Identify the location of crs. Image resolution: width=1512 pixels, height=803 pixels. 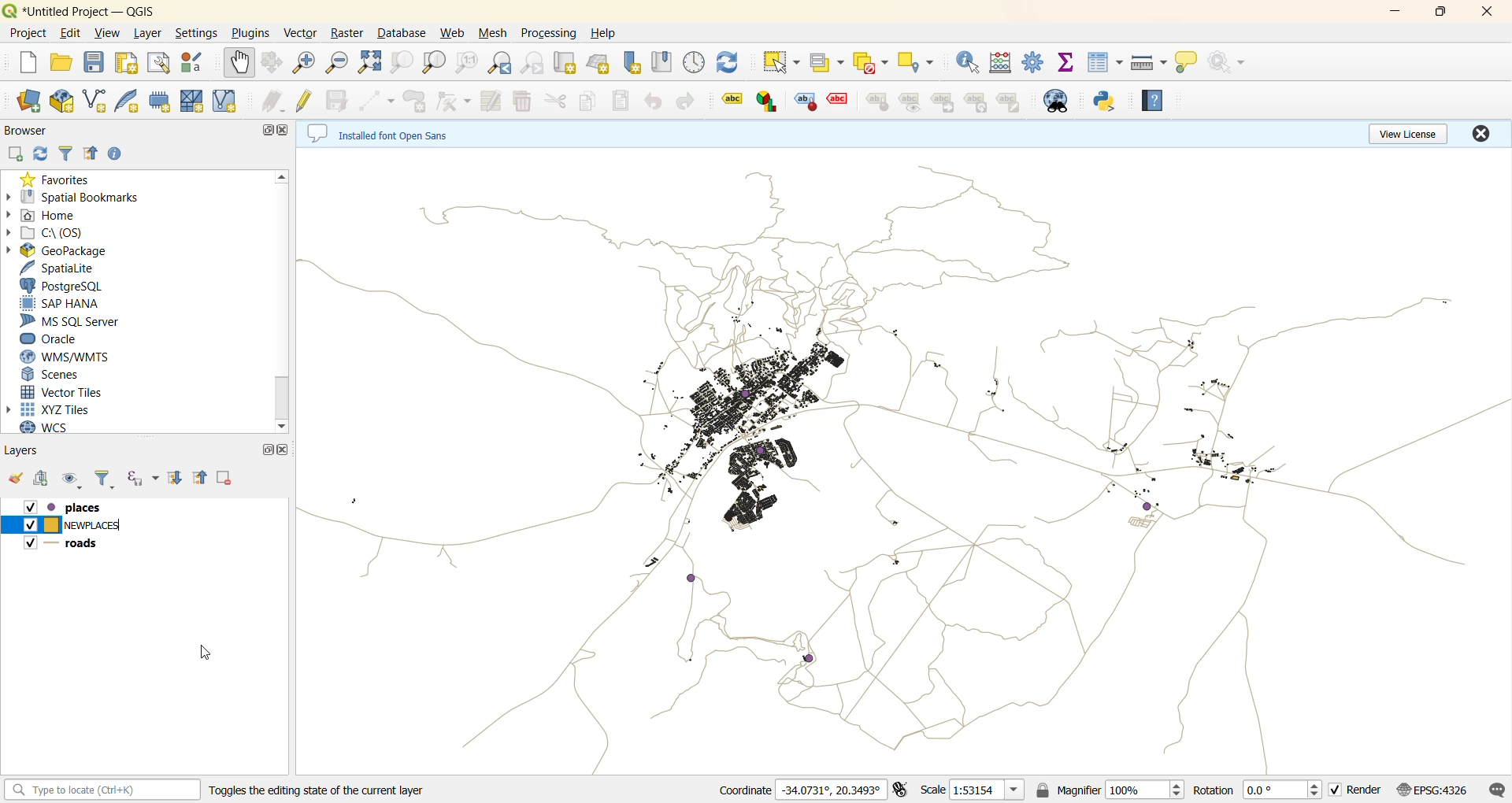
(1440, 789).